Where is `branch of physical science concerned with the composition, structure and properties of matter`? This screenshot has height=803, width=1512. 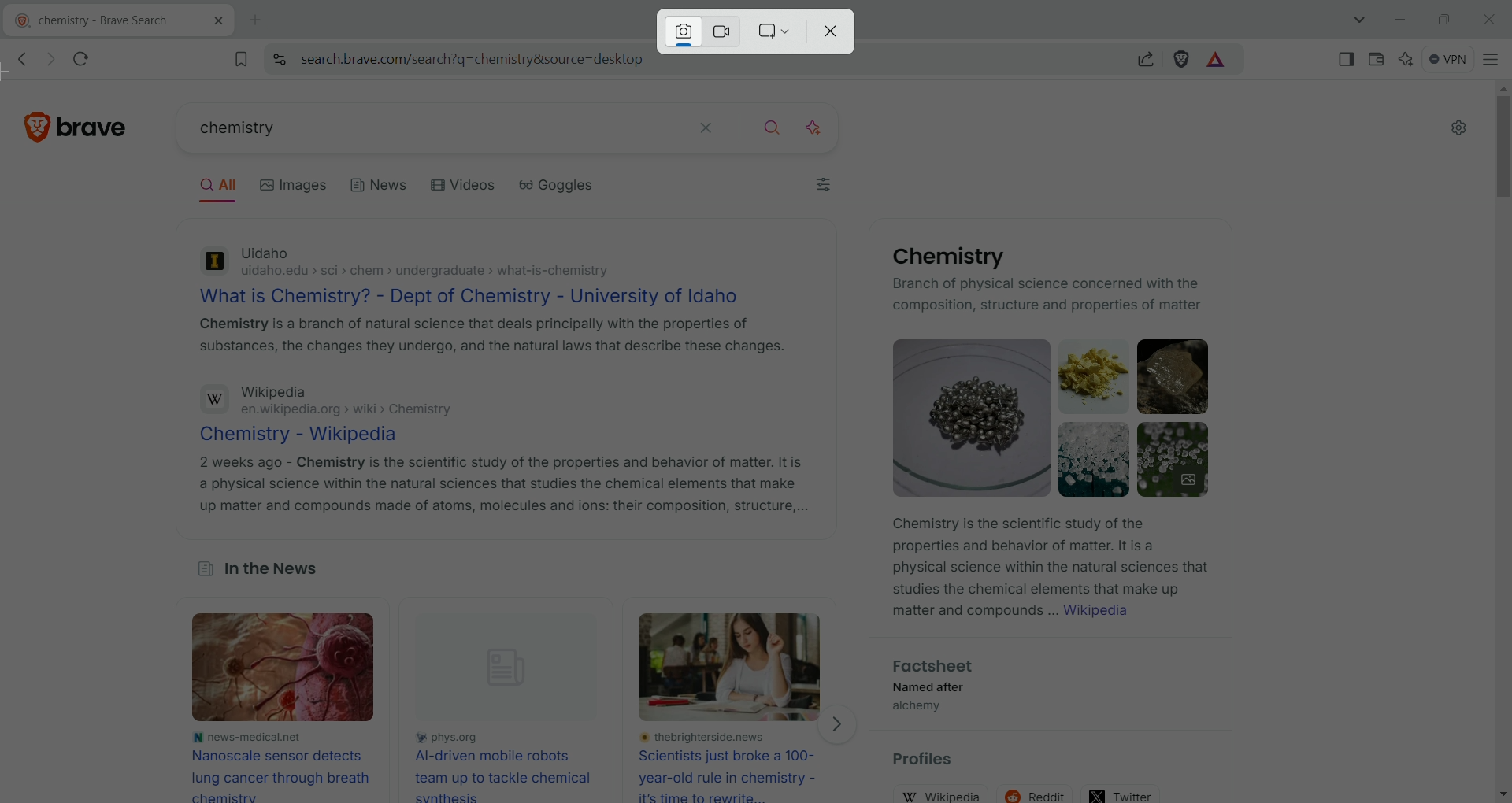
branch of physical science concerned with the composition, structure and properties of matter is located at coordinates (1050, 296).